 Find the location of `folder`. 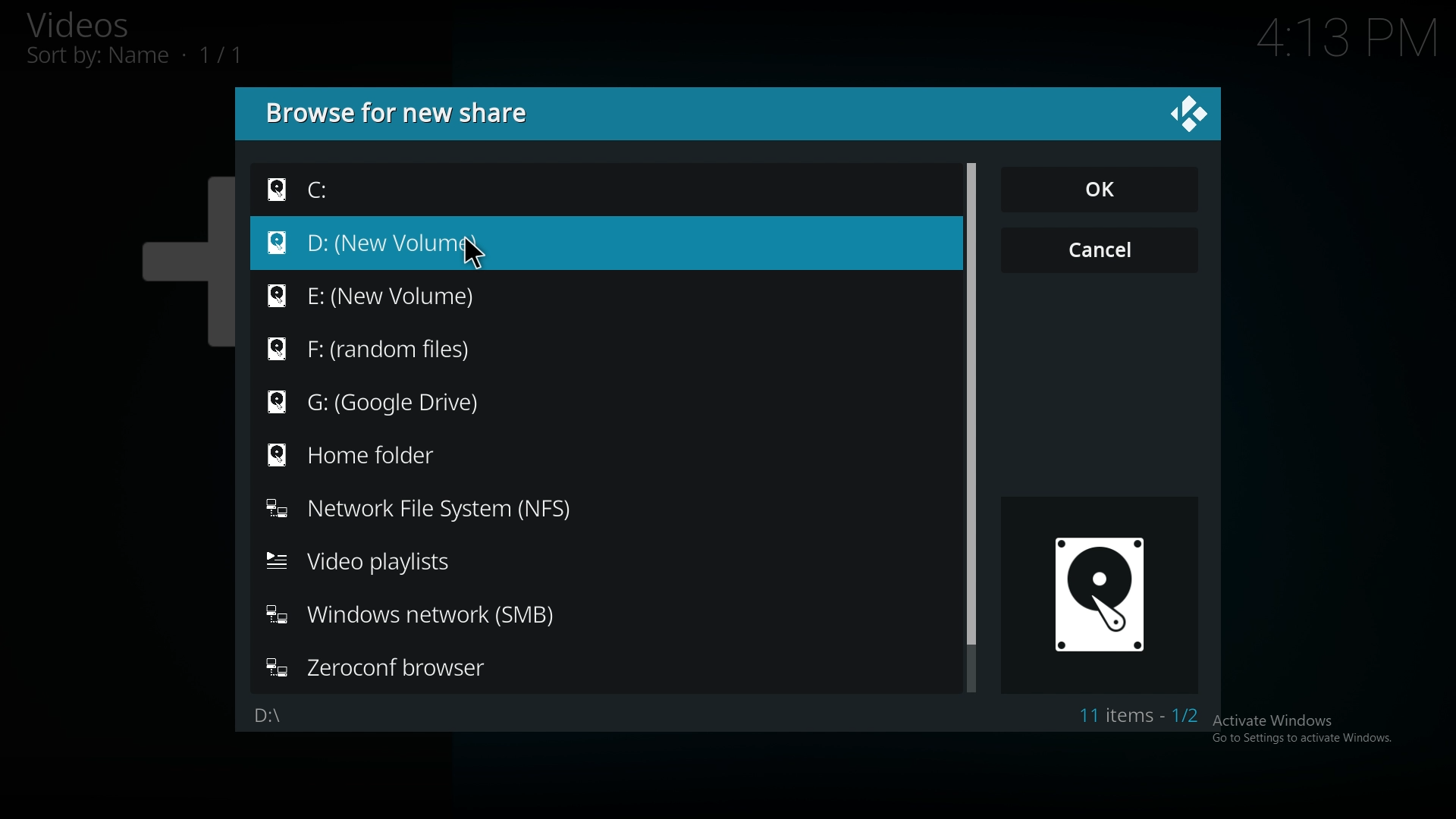

folder is located at coordinates (394, 243).